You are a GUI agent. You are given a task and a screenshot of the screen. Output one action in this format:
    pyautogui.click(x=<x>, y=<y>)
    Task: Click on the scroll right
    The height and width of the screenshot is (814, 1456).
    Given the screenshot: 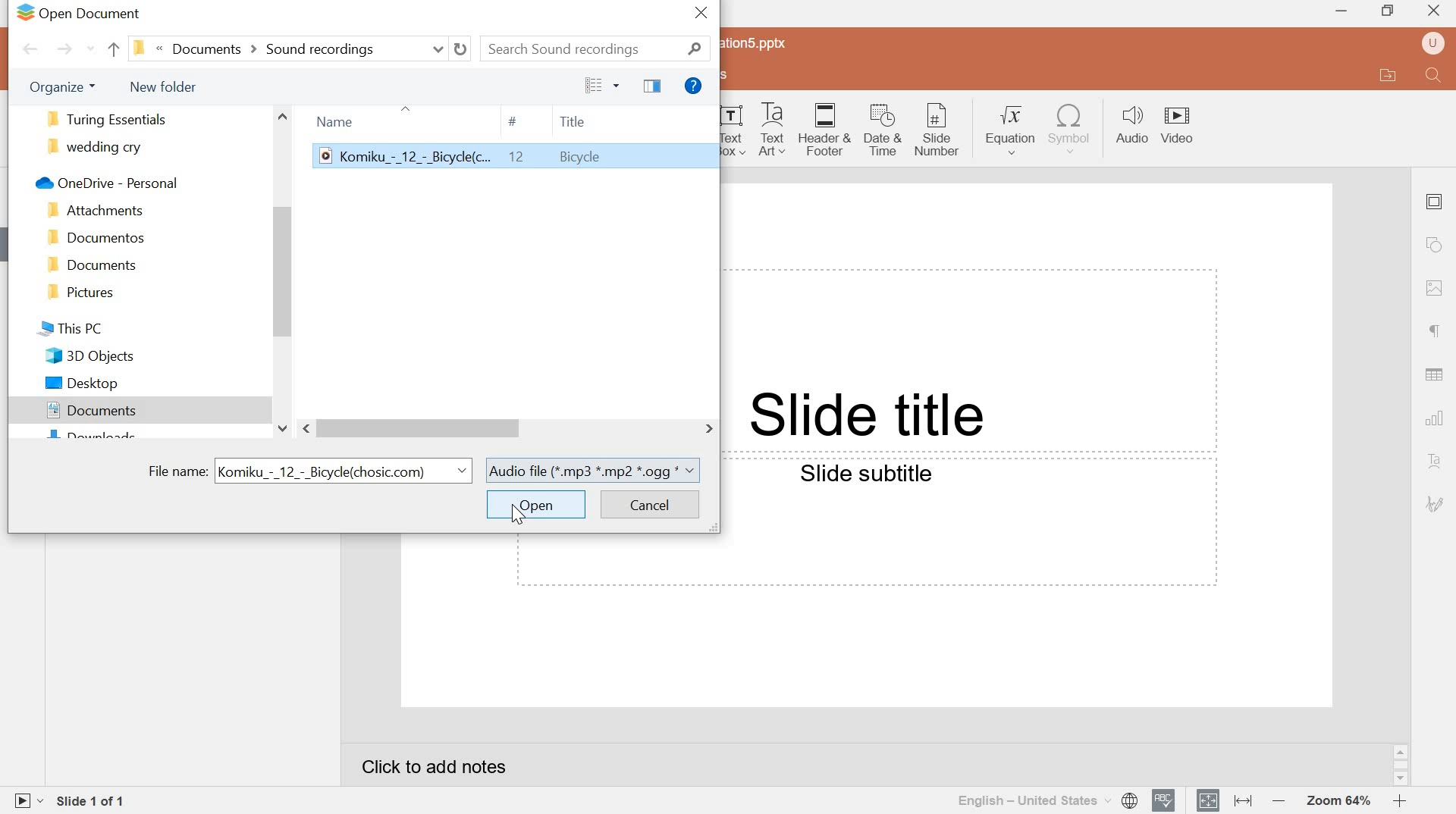 What is the action you would take?
    pyautogui.click(x=703, y=429)
    